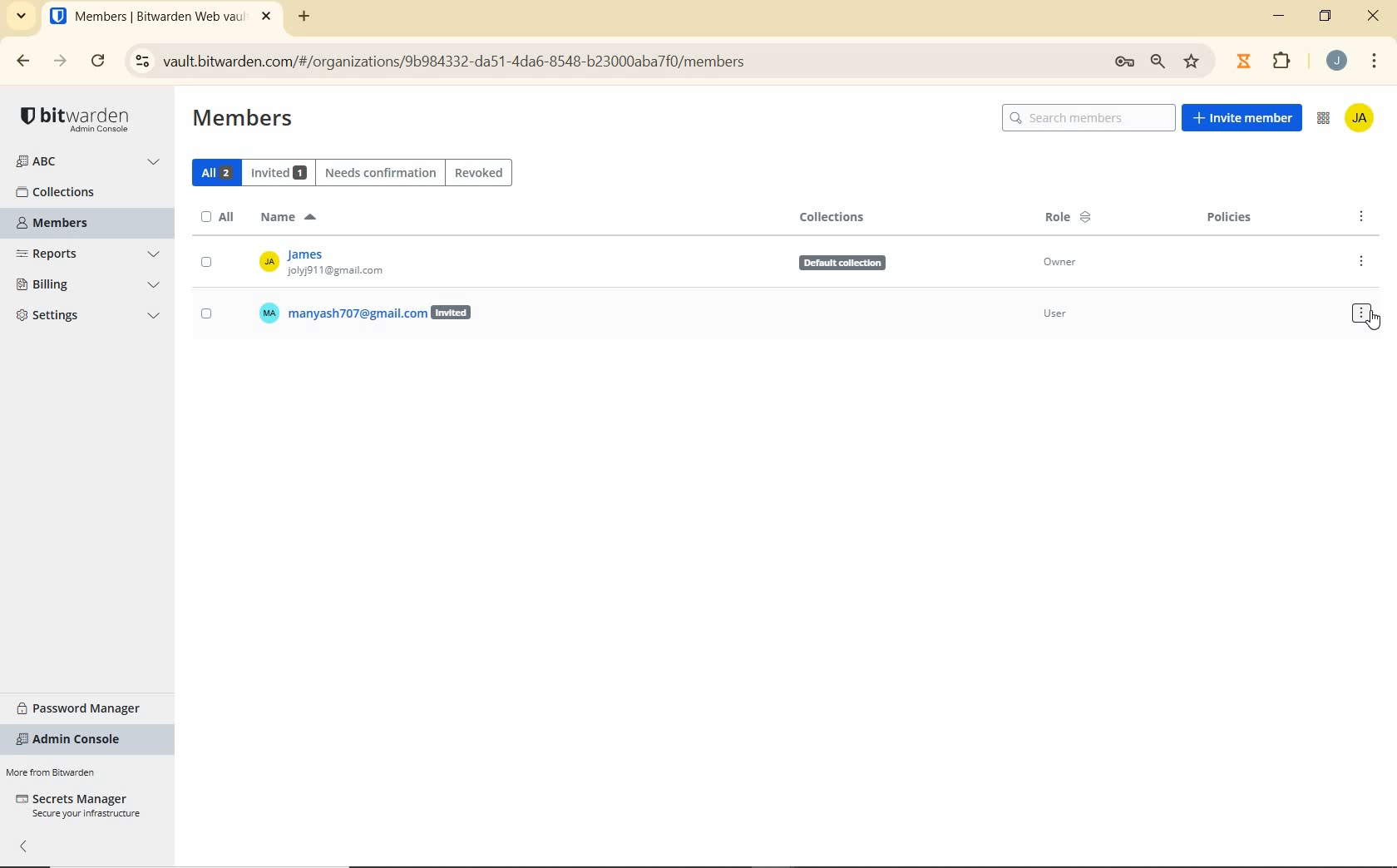 The image size is (1397, 868). I want to click on OPTIONS, so click(1365, 315).